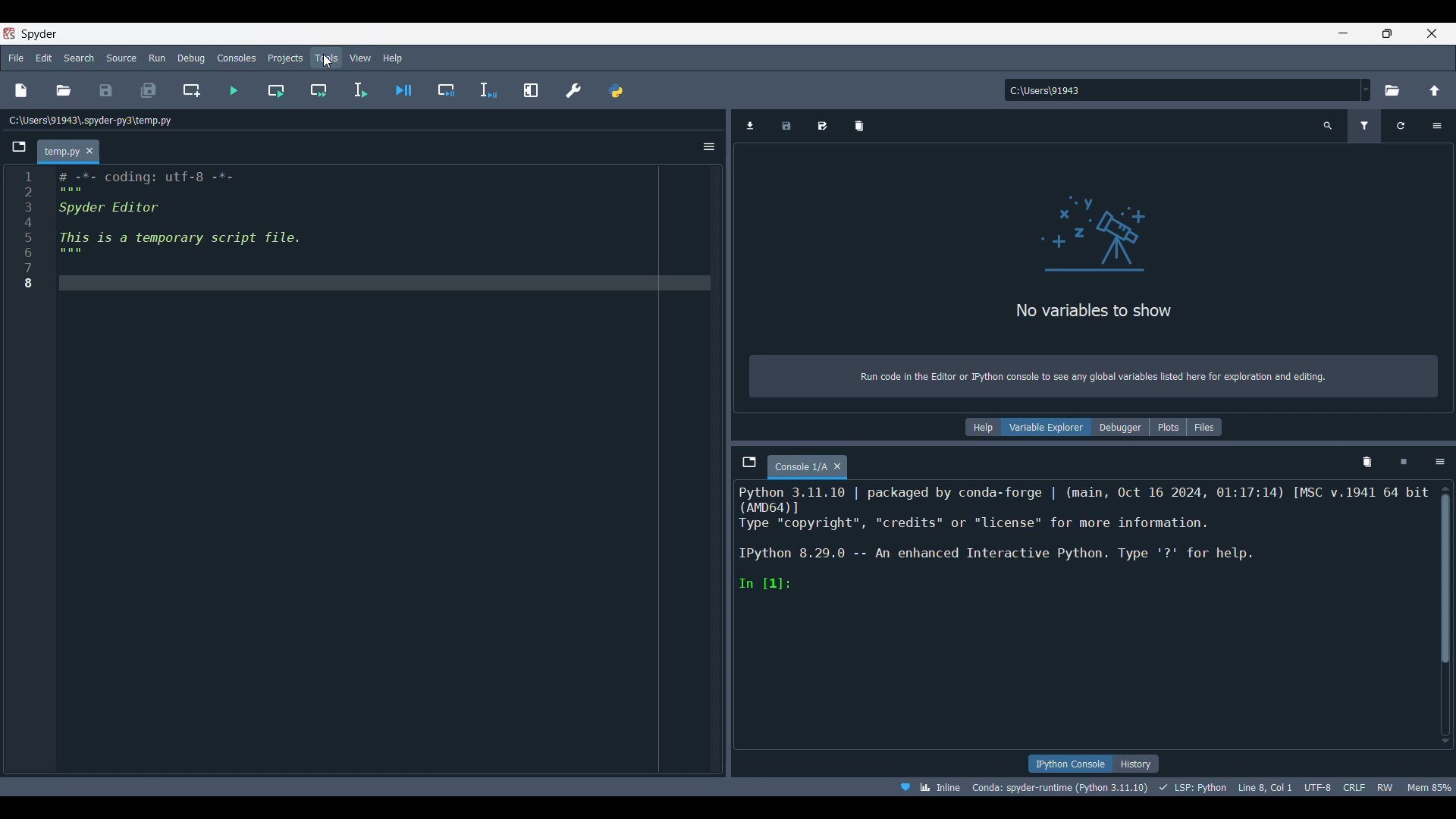 Image resolution: width=1456 pixels, height=819 pixels. I want to click on Close tab, so click(89, 150).